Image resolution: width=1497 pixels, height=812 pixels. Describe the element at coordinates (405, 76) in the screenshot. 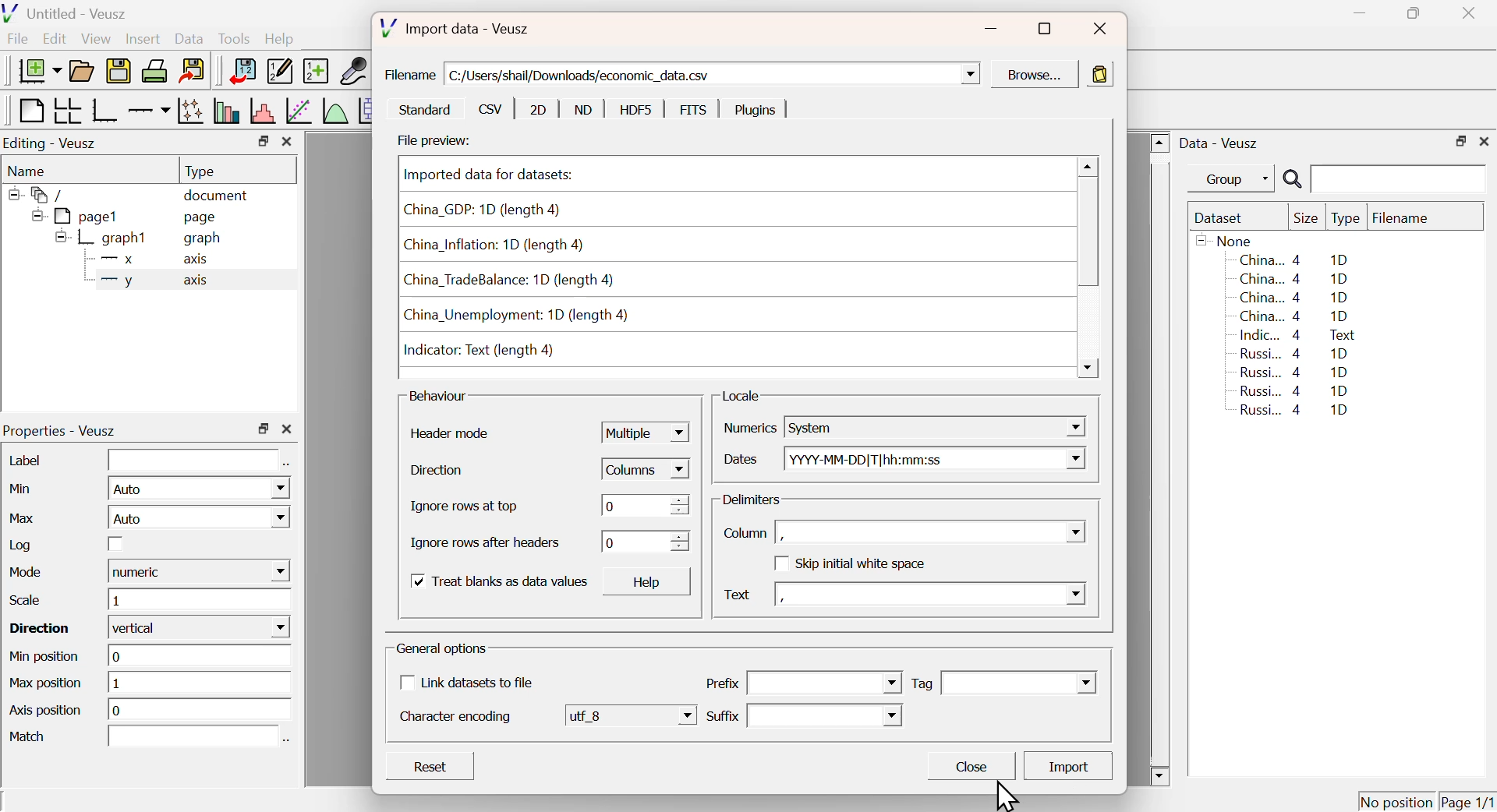

I see `Filename` at that location.